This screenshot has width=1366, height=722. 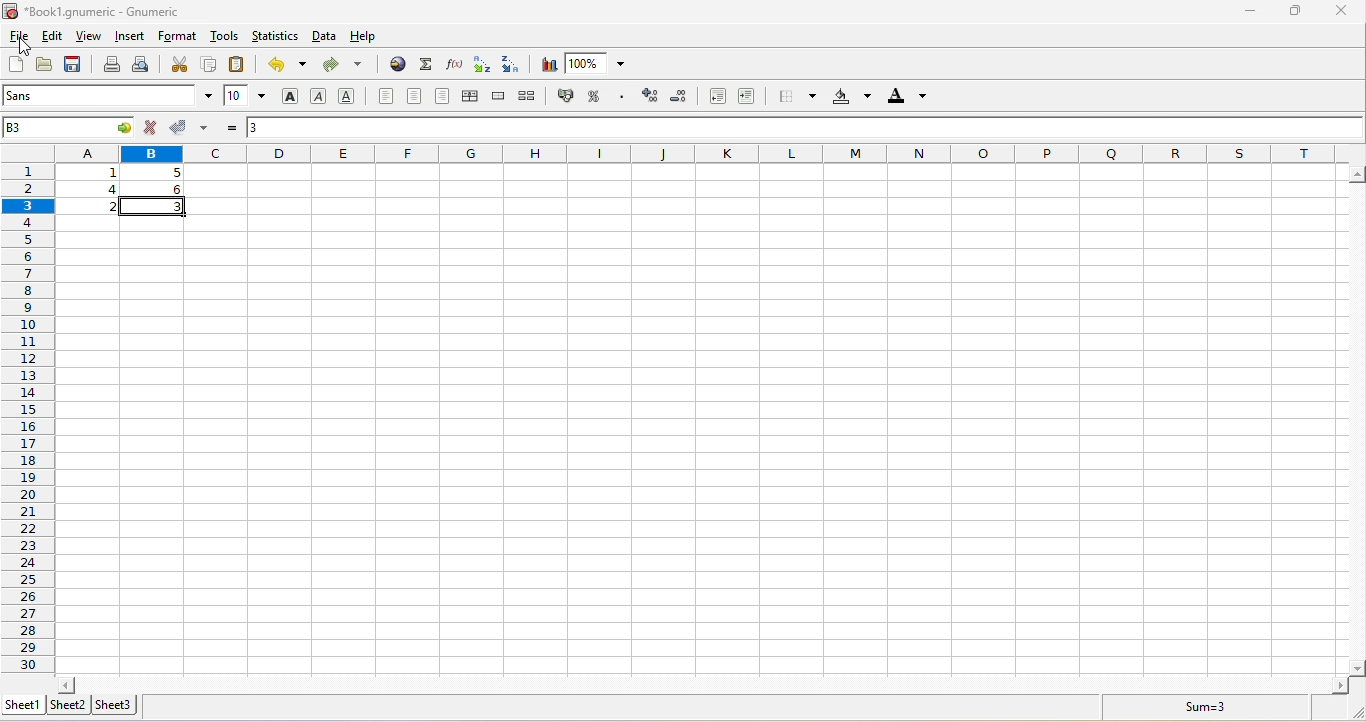 I want to click on statistics, so click(x=275, y=39).